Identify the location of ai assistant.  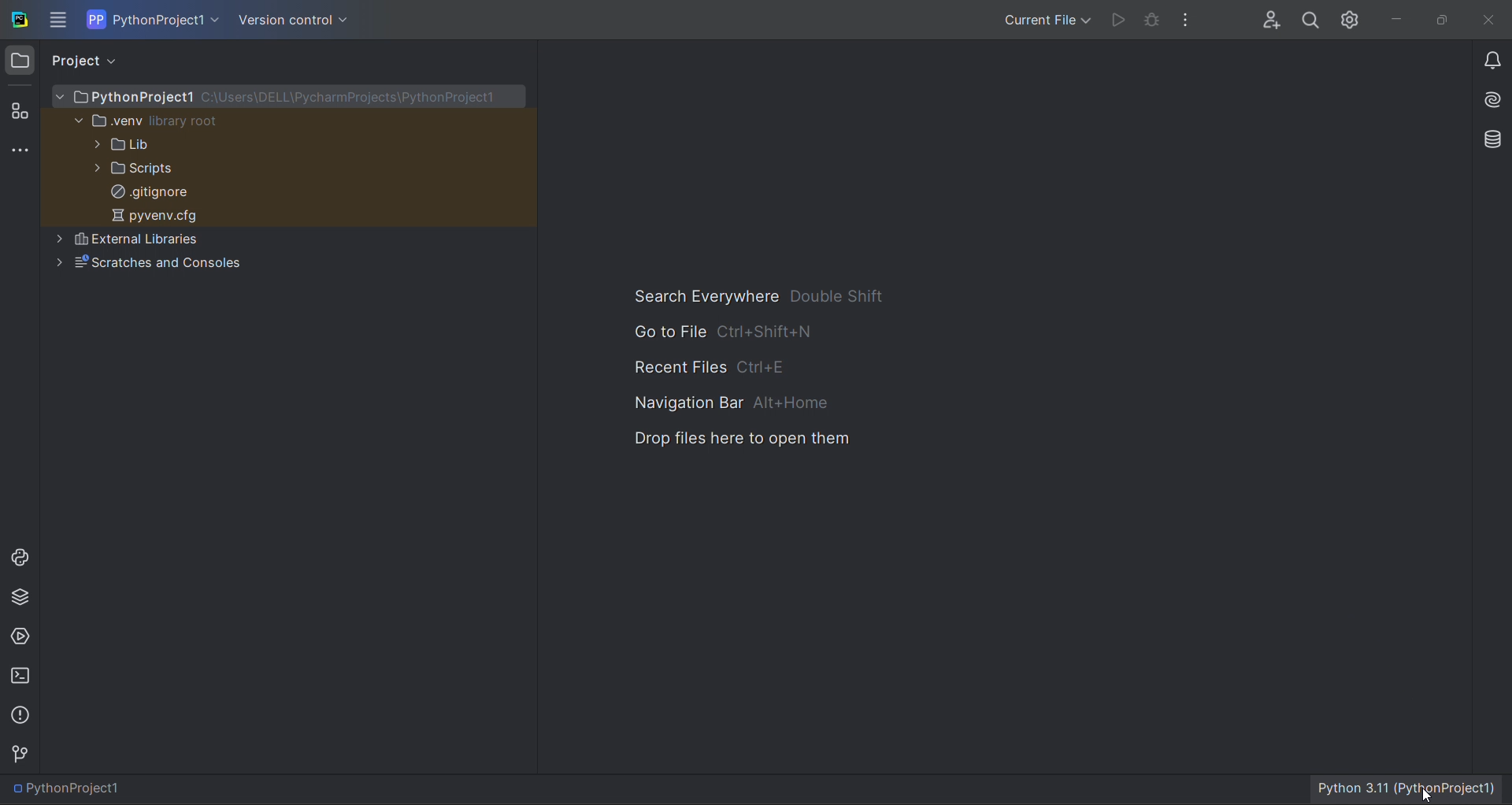
(1487, 102).